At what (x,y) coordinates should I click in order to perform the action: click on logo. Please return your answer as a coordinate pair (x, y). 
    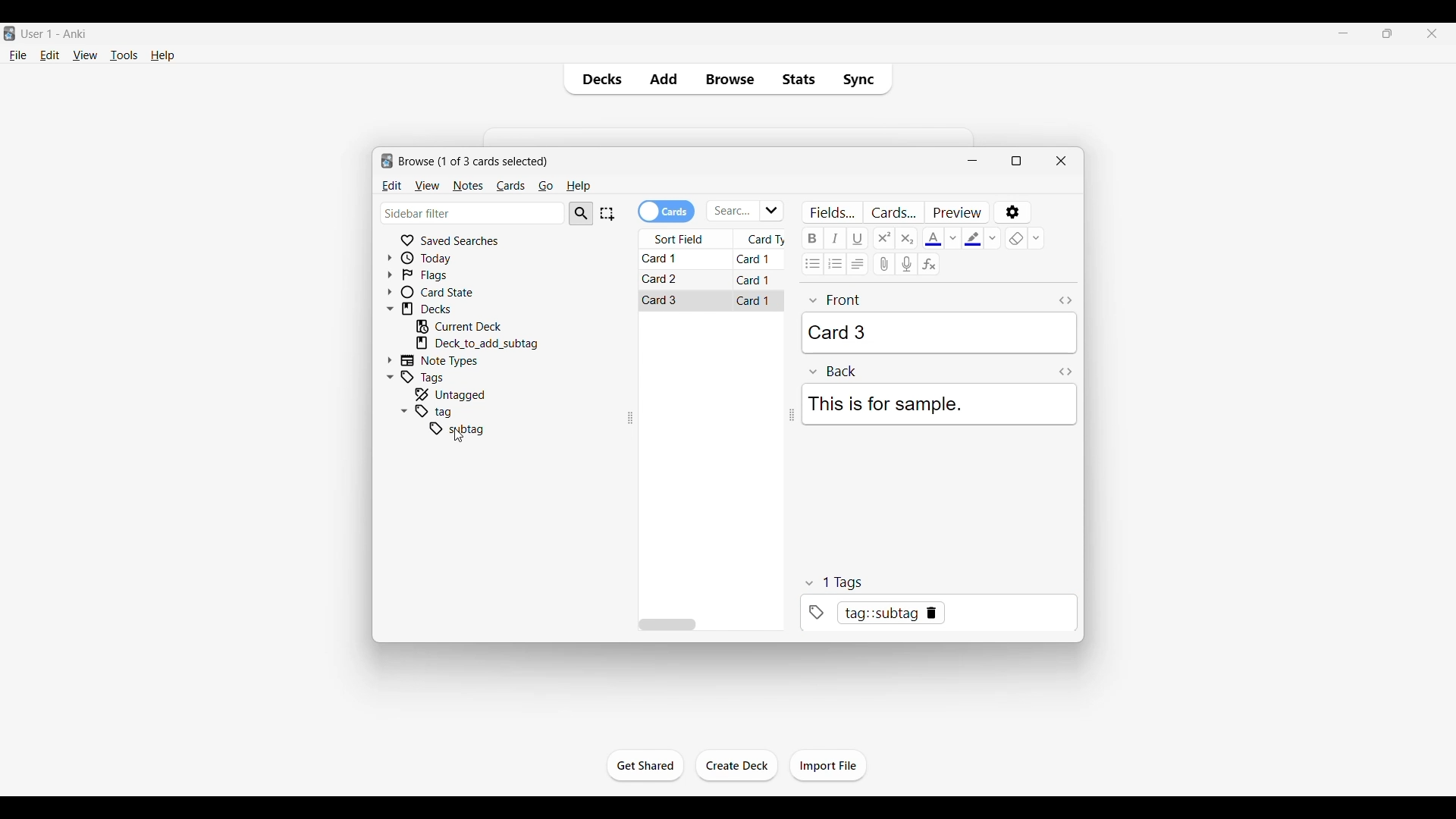
    Looking at the image, I should click on (385, 162).